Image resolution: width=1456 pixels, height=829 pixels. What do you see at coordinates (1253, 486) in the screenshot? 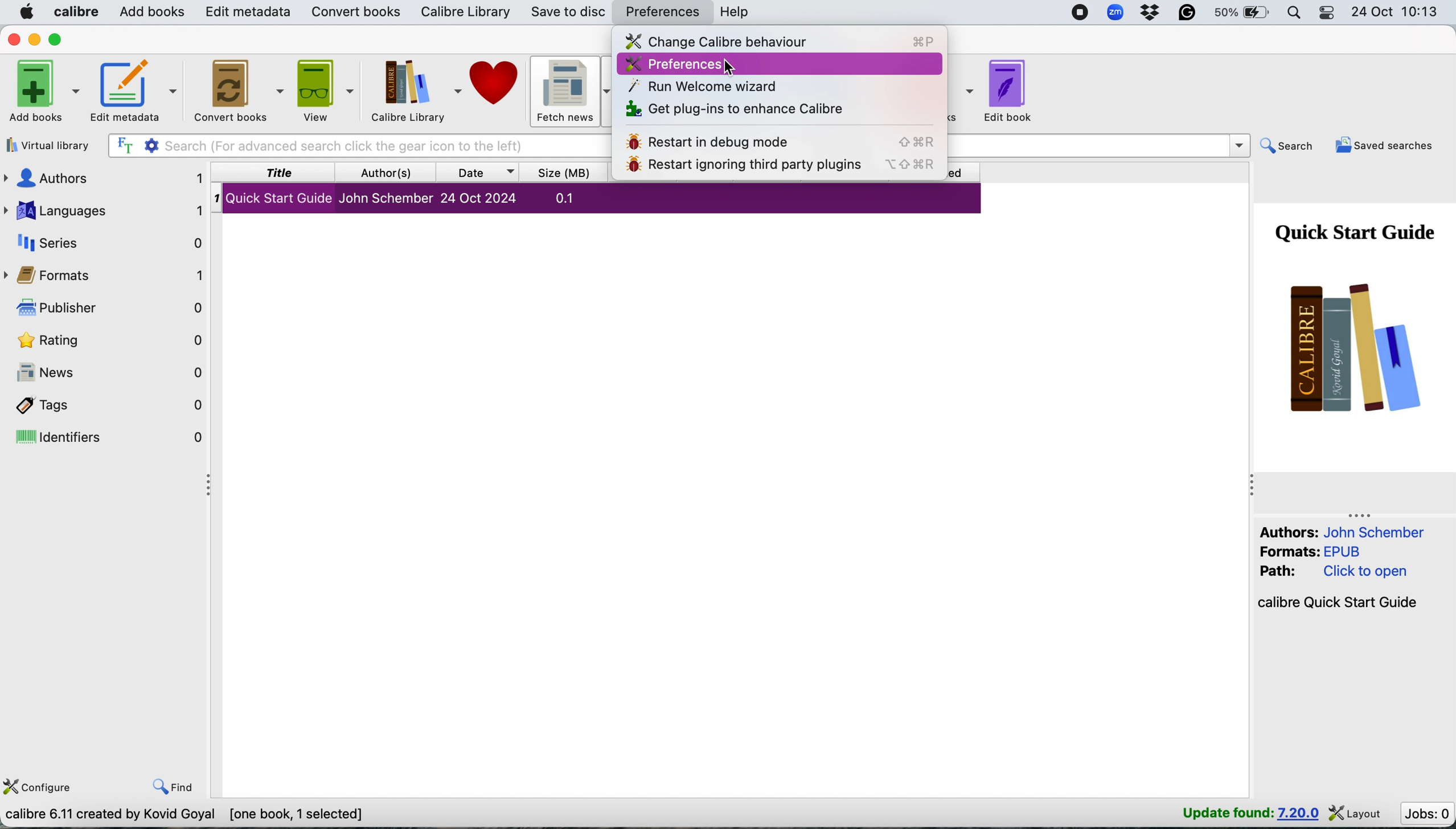
I see `collapse` at bounding box center [1253, 486].